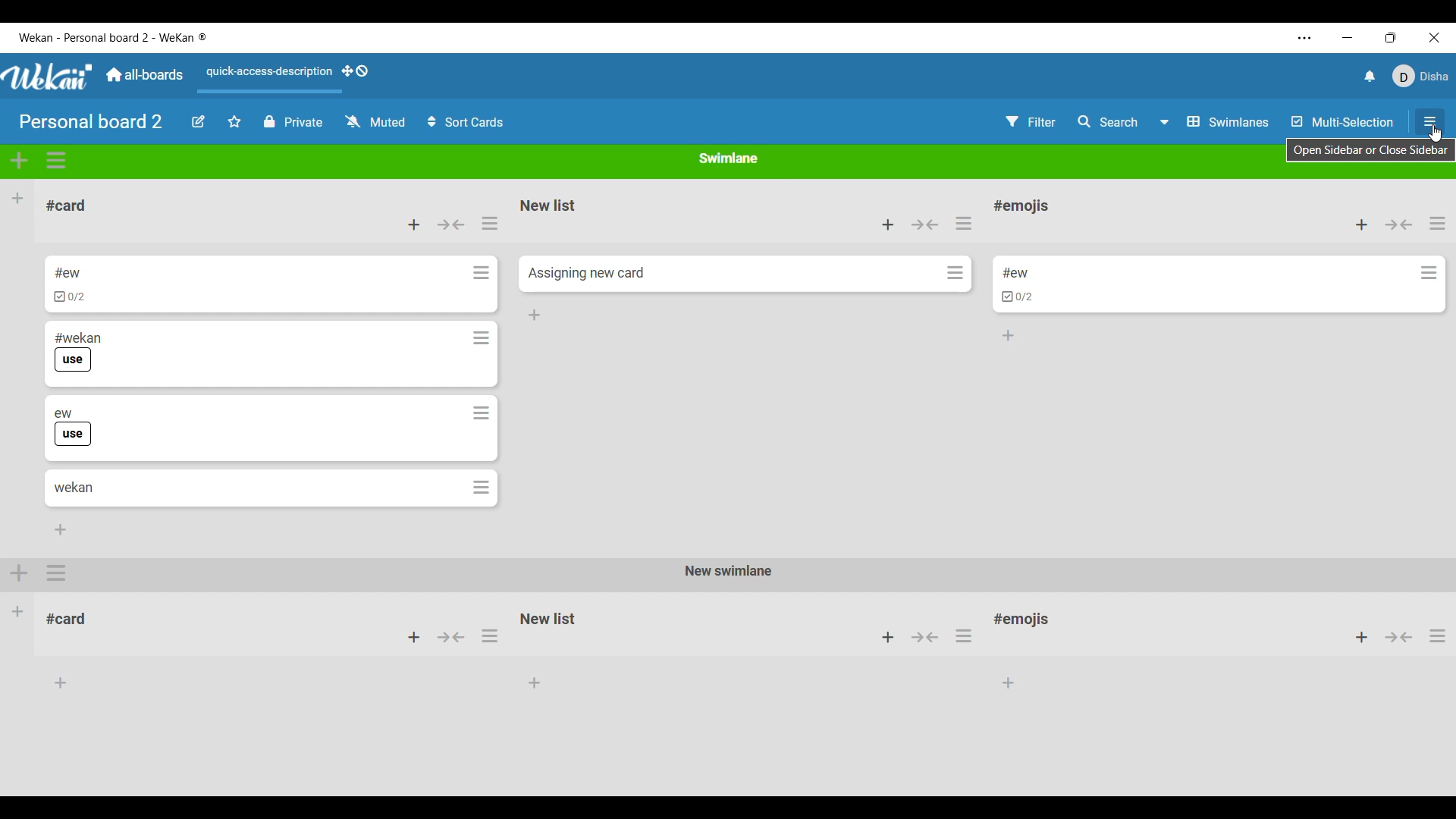  I want to click on Search, so click(1107, 122).